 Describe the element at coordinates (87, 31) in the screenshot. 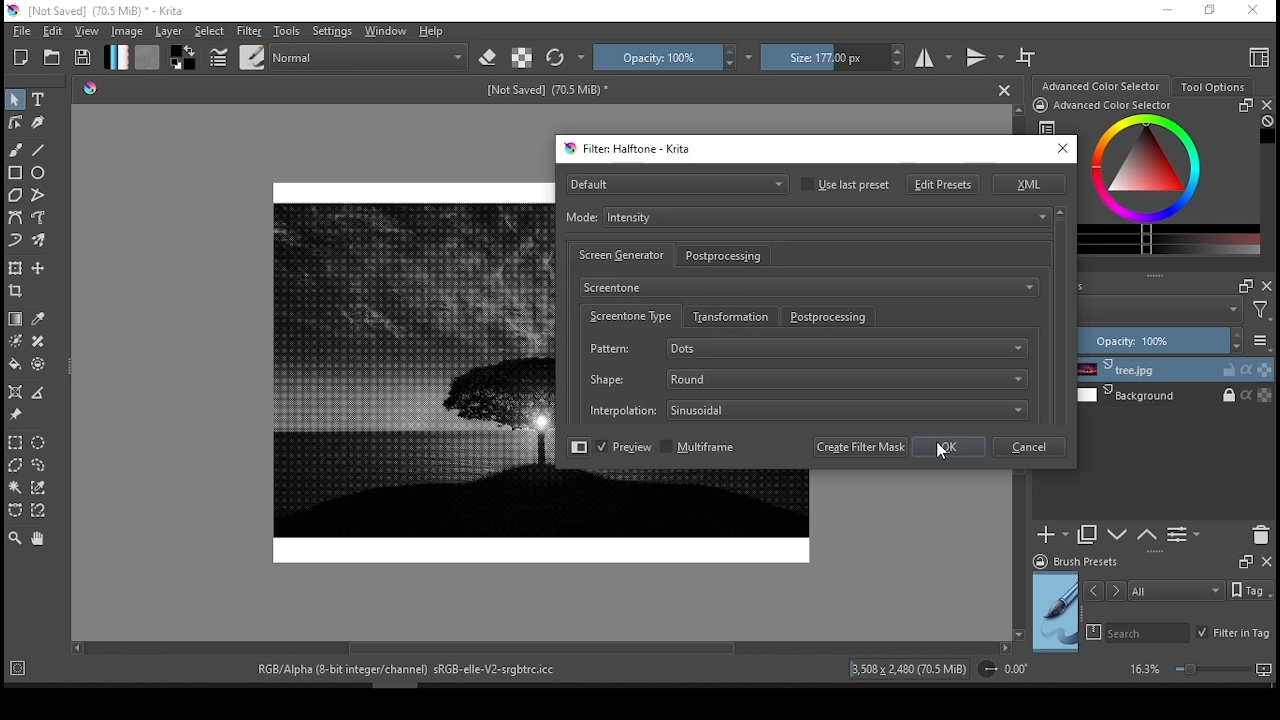

I see `view` at that location.